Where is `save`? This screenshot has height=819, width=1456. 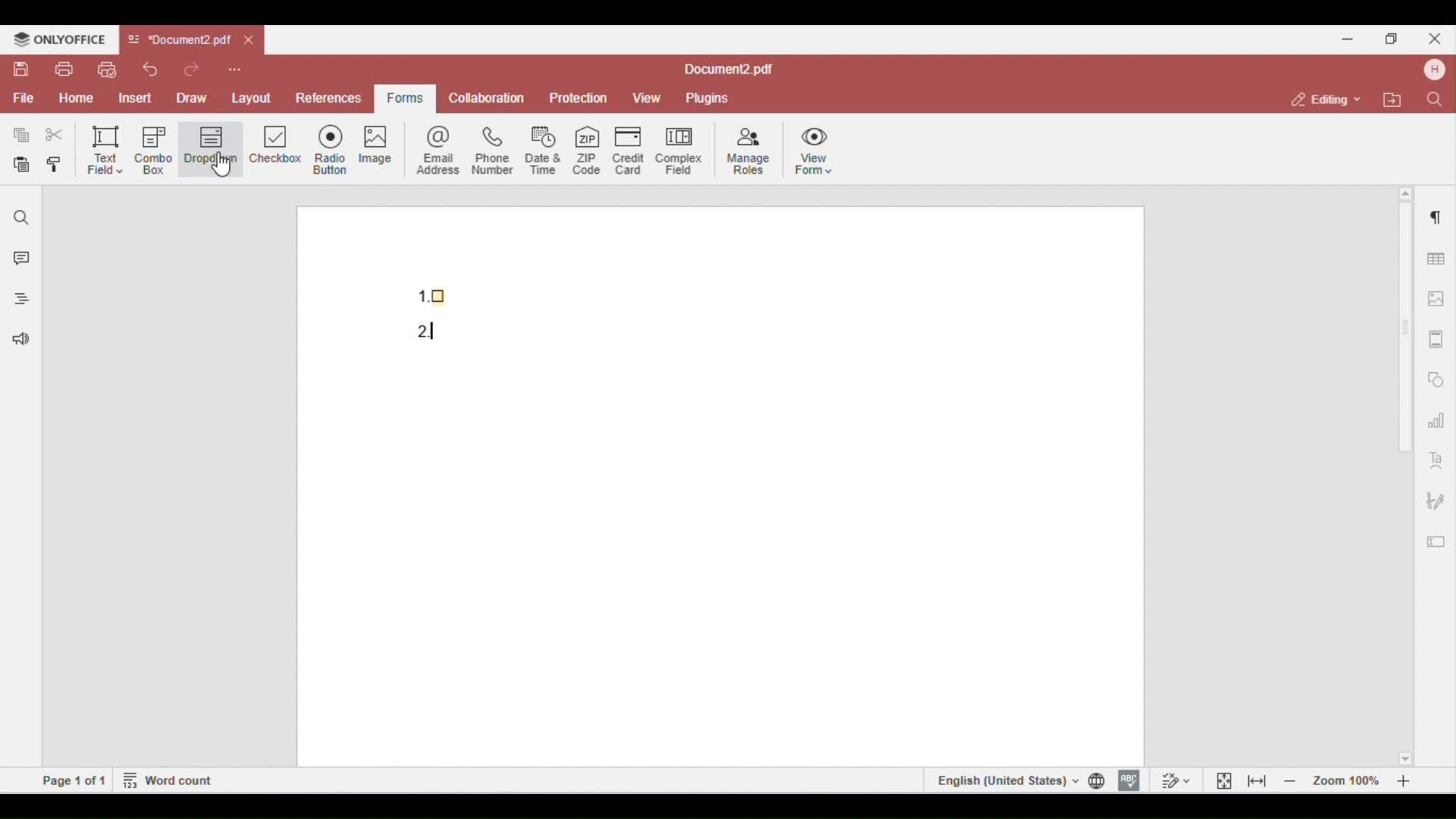 save is located at coordinates (23, 69).